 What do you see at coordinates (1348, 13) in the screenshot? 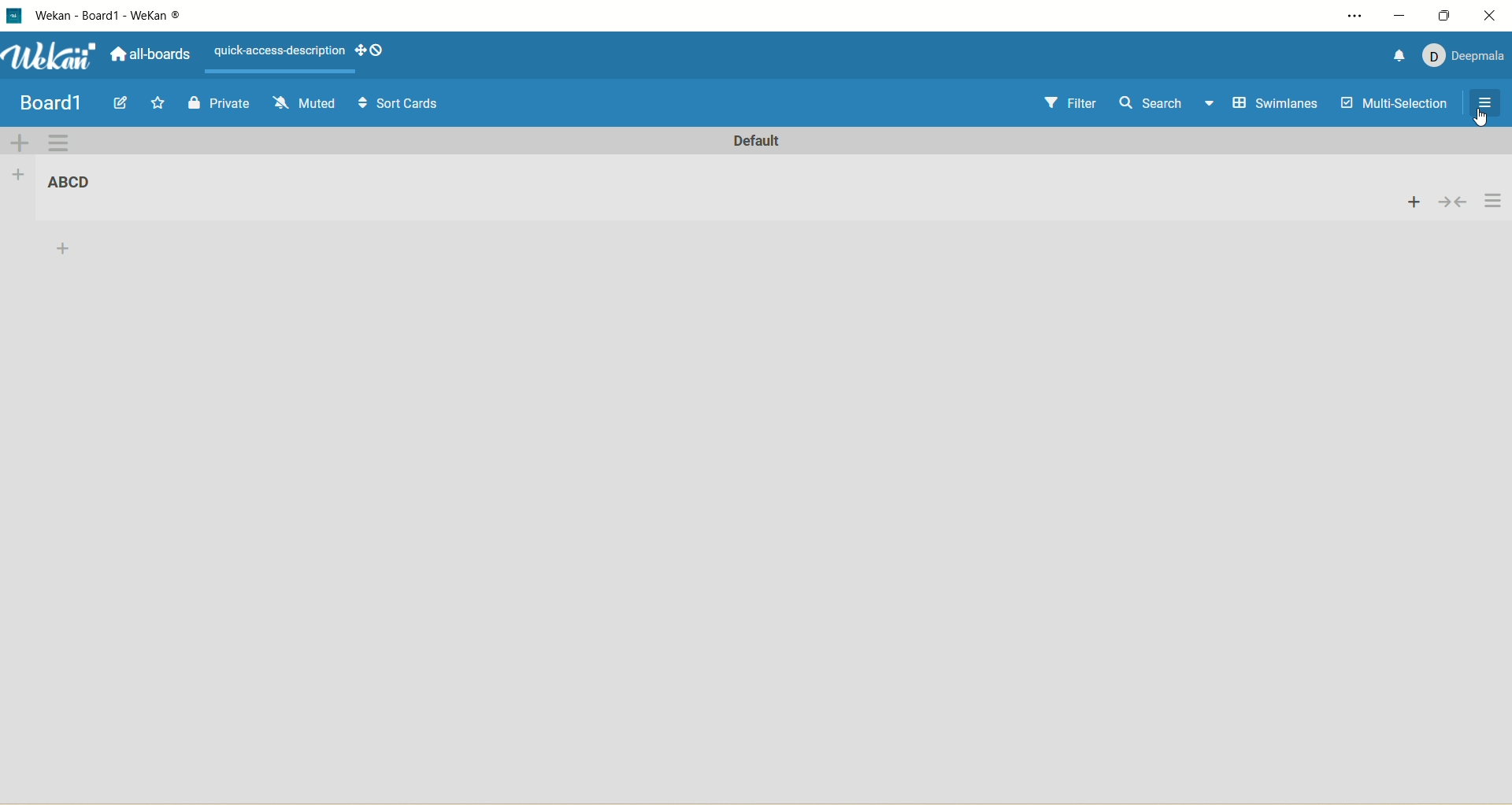
I see `setting and more` at bounding box center [1348, 13].